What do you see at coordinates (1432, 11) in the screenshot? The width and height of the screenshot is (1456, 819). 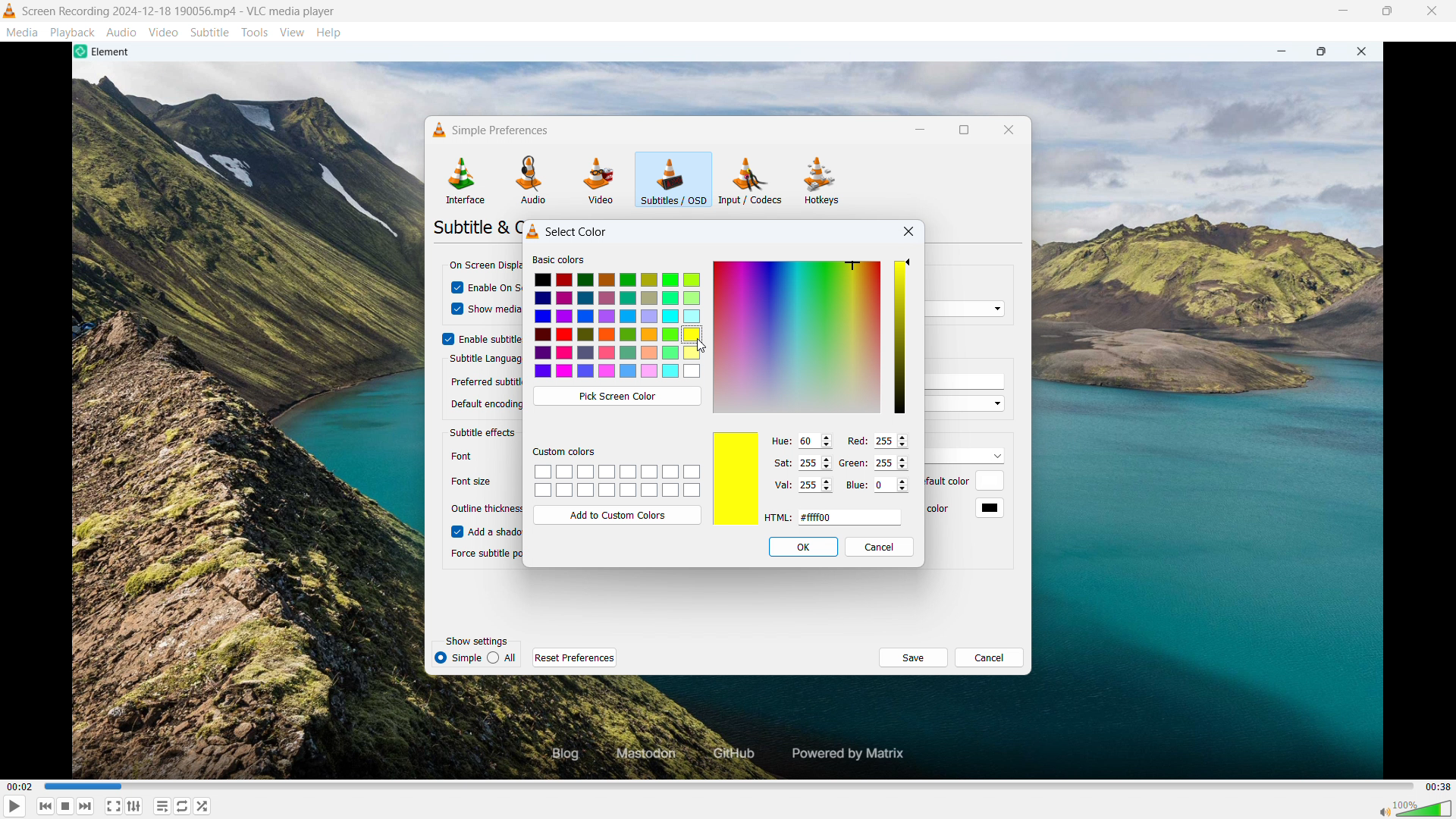 I see `Close ` at bounding box center [1432, 11].